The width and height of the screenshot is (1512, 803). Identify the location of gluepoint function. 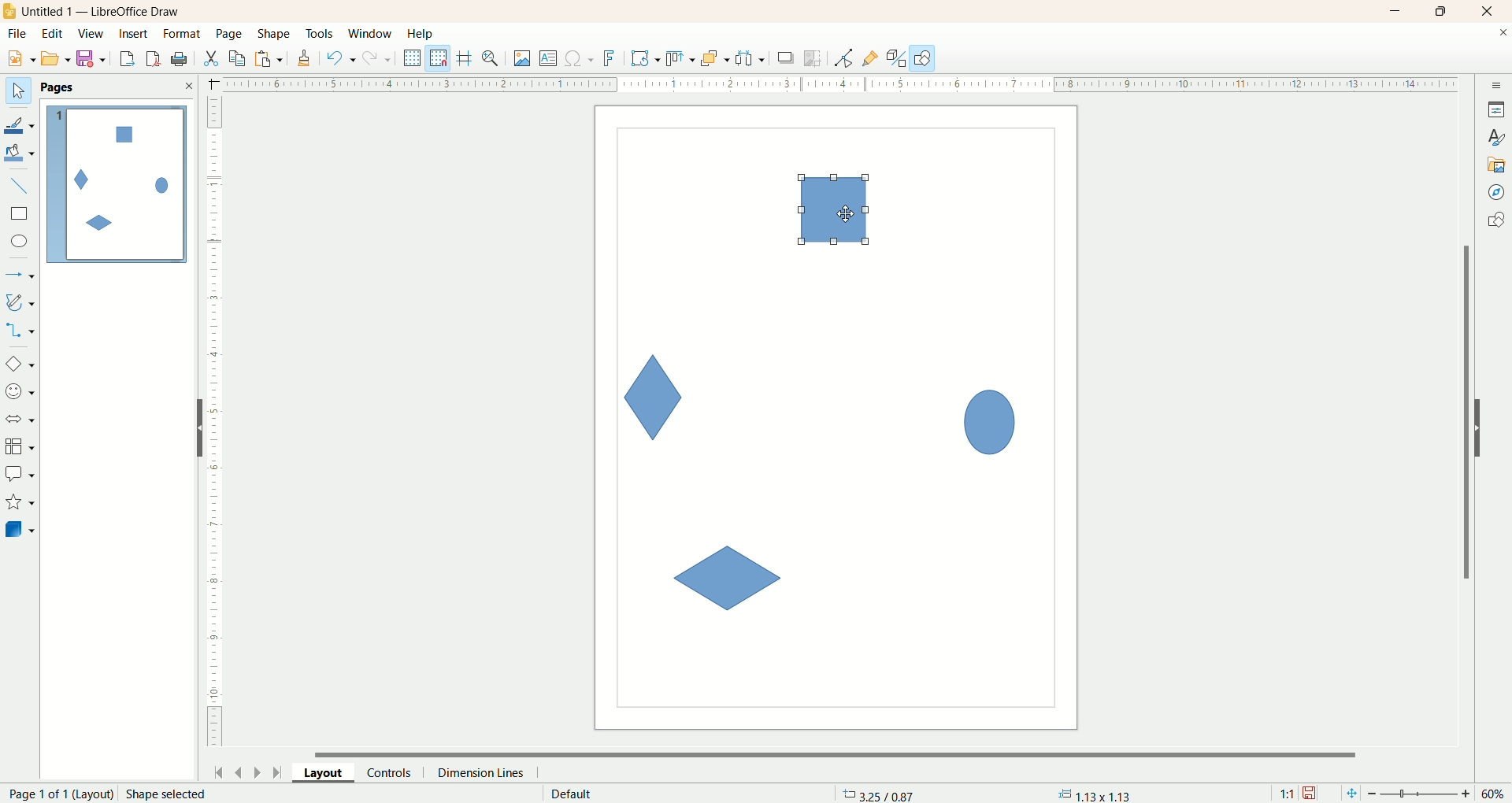
(870, 59).